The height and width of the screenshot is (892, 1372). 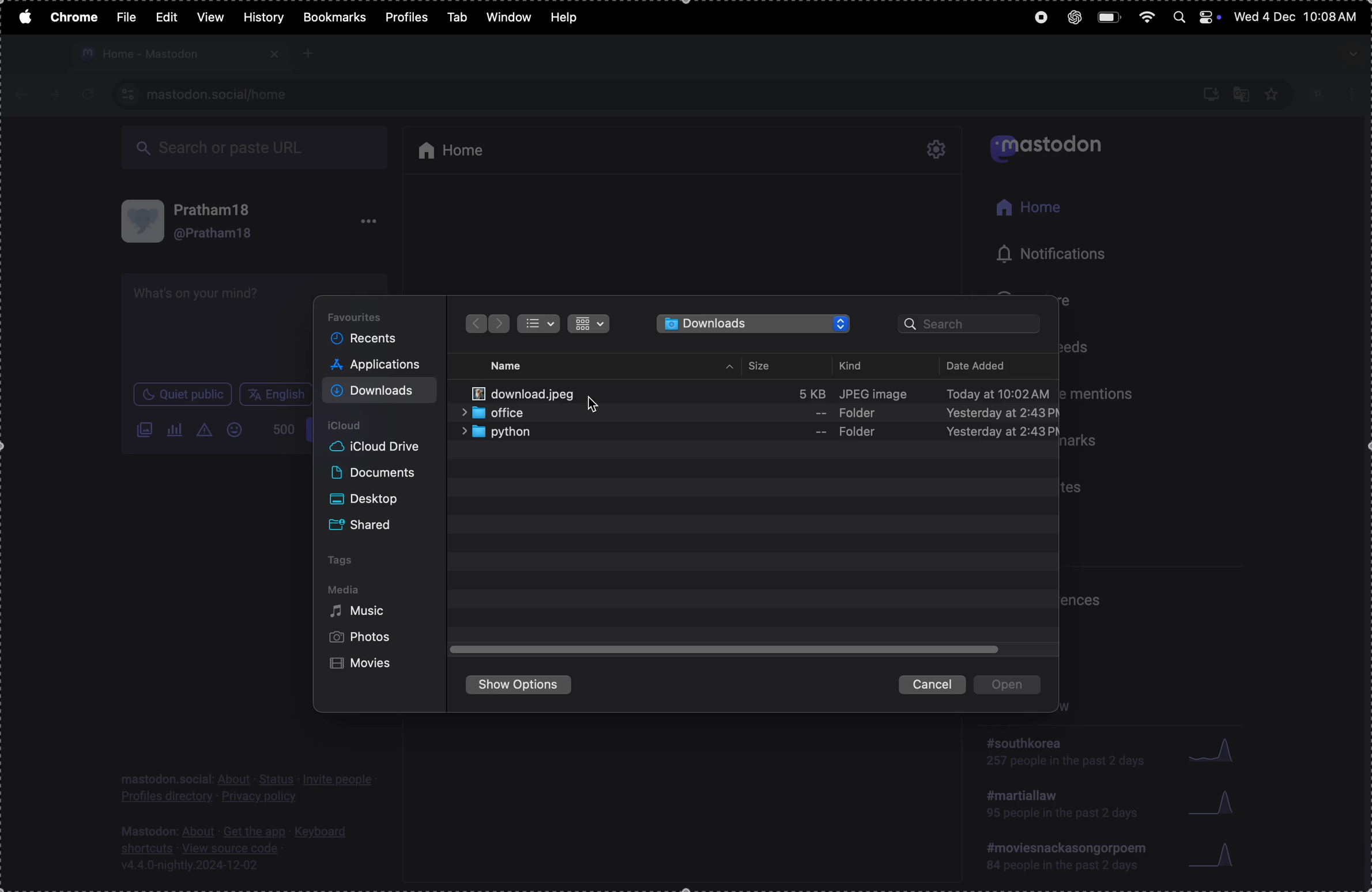 What do you see at coordinates (1063, 860) in the screenshot?
I see `#moviessancforpoem` at bounding box center [1063, 860].